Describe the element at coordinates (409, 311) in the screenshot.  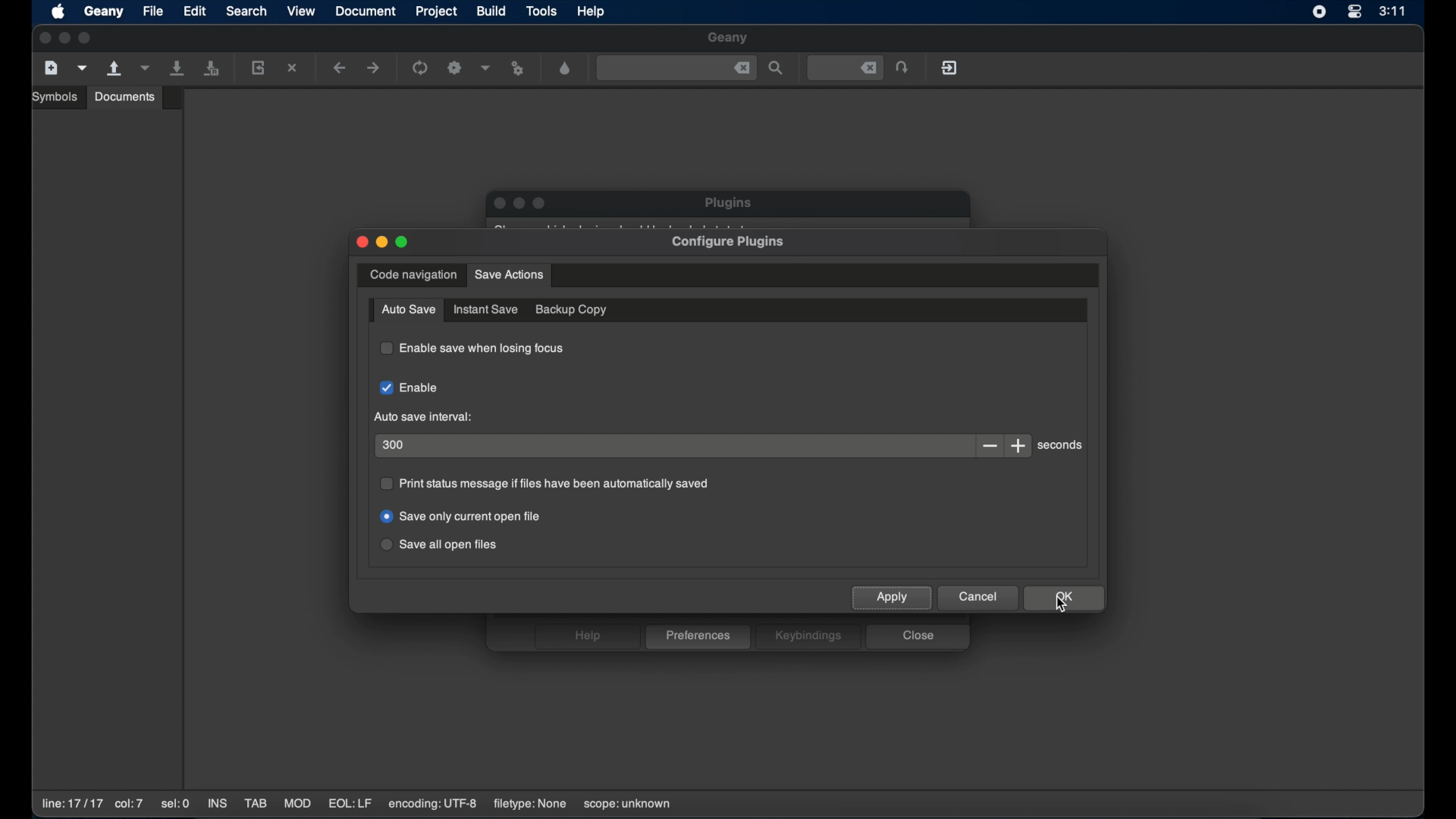
I see `auto save` at that location.